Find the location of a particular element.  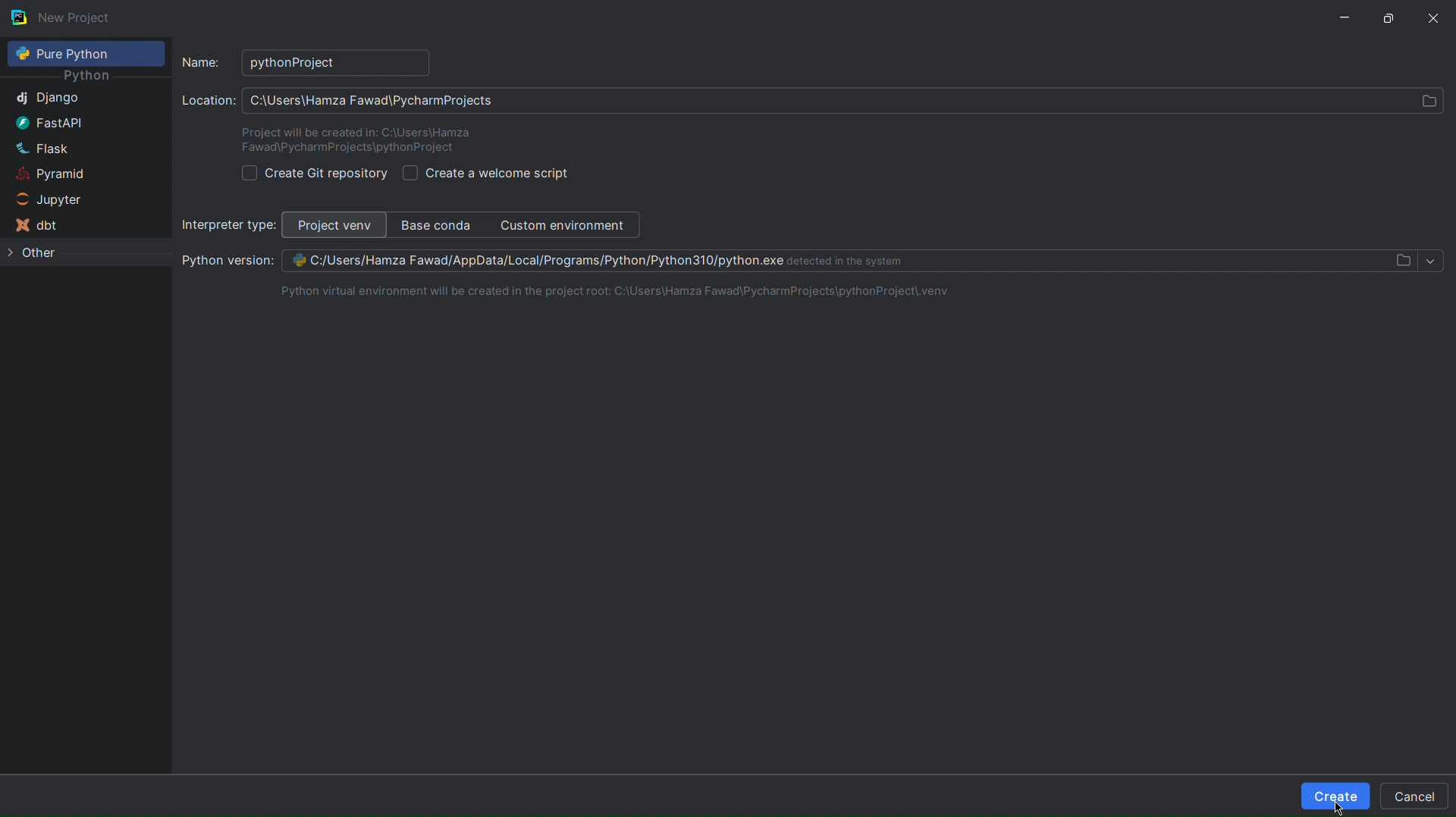

Maximize is located at coordinates (1394, 17).